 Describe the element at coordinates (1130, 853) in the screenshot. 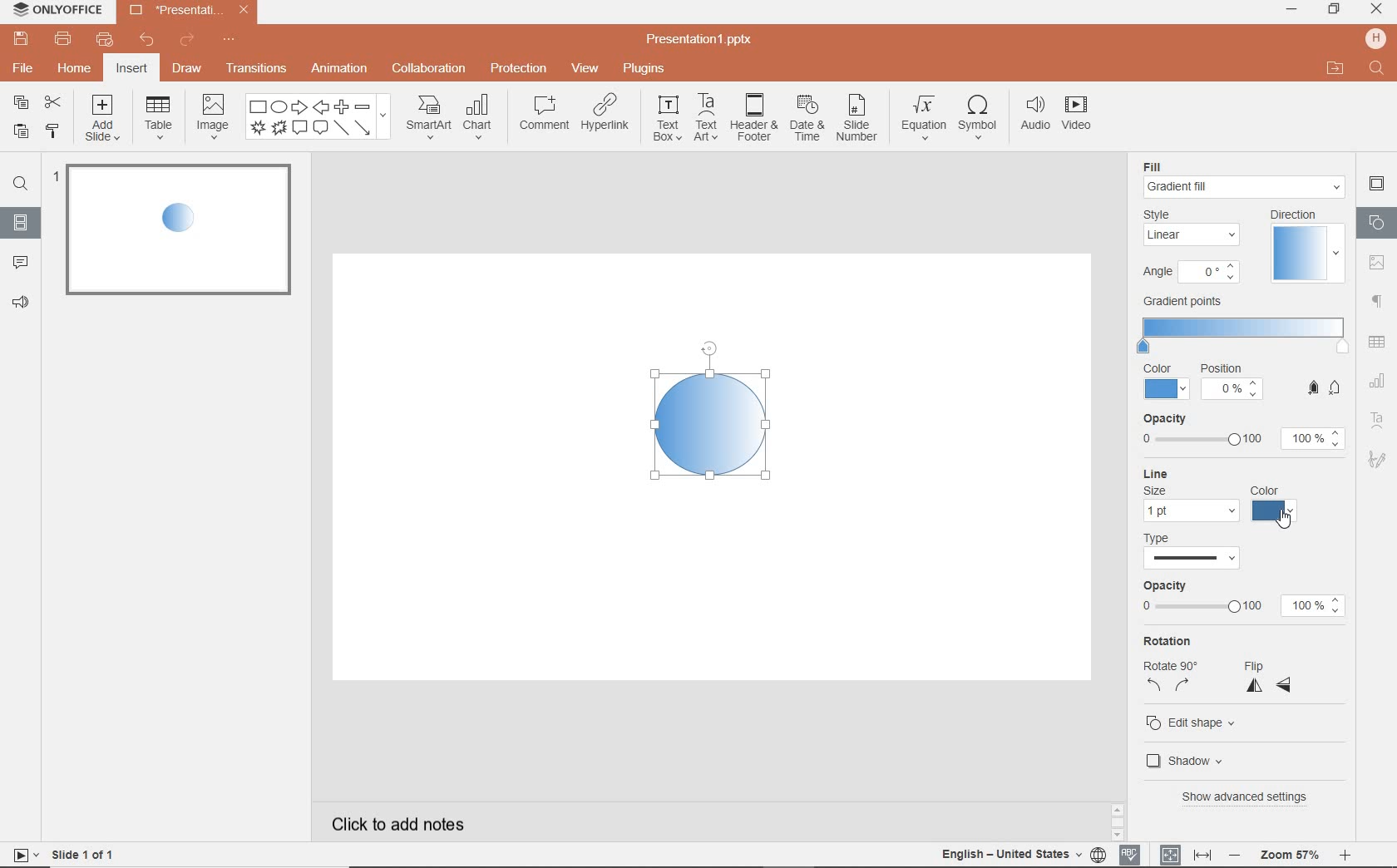

I see `spell checking` at that location.